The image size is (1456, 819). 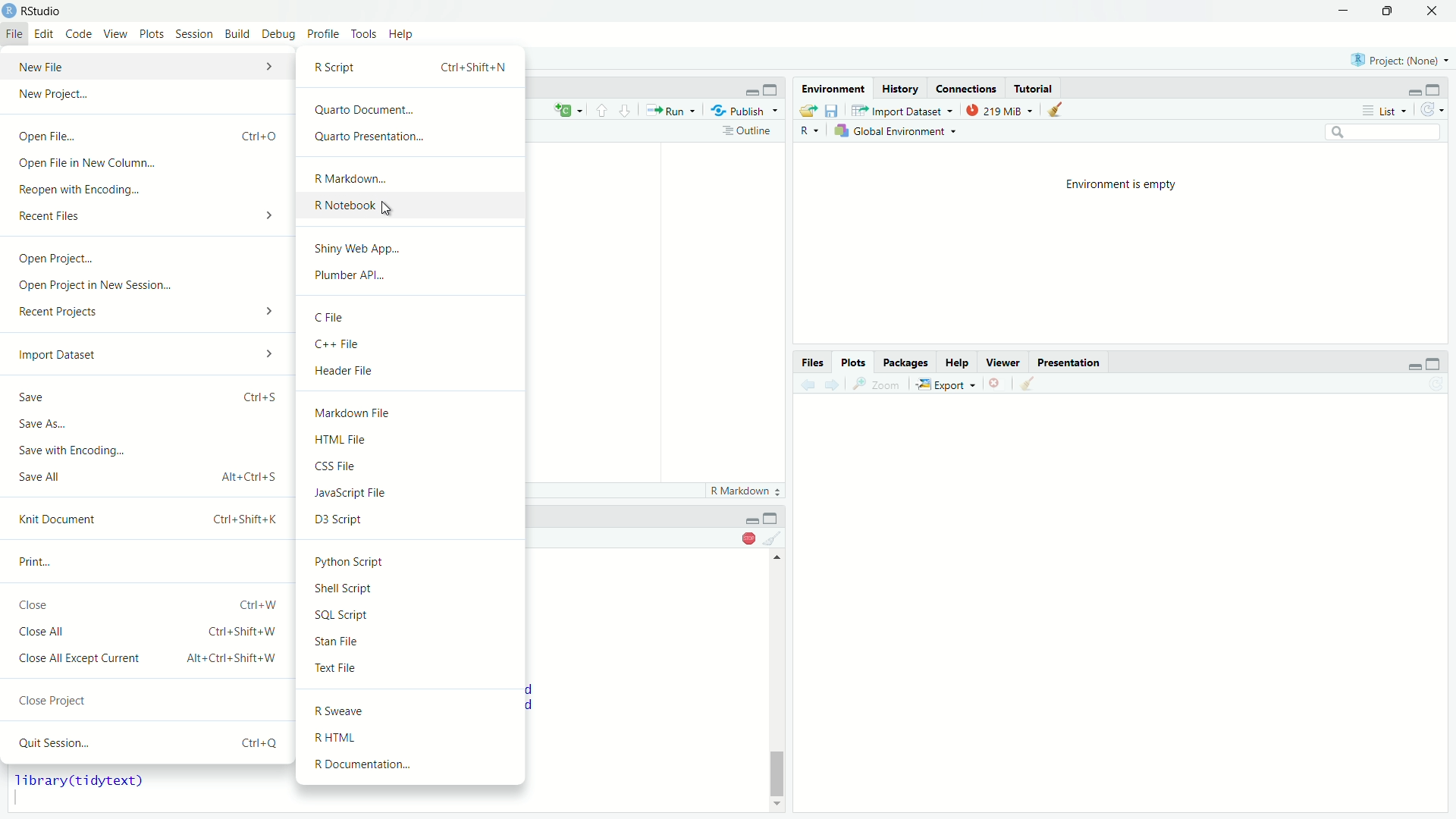 I want to click on Save All, so click(x=146, y=474).